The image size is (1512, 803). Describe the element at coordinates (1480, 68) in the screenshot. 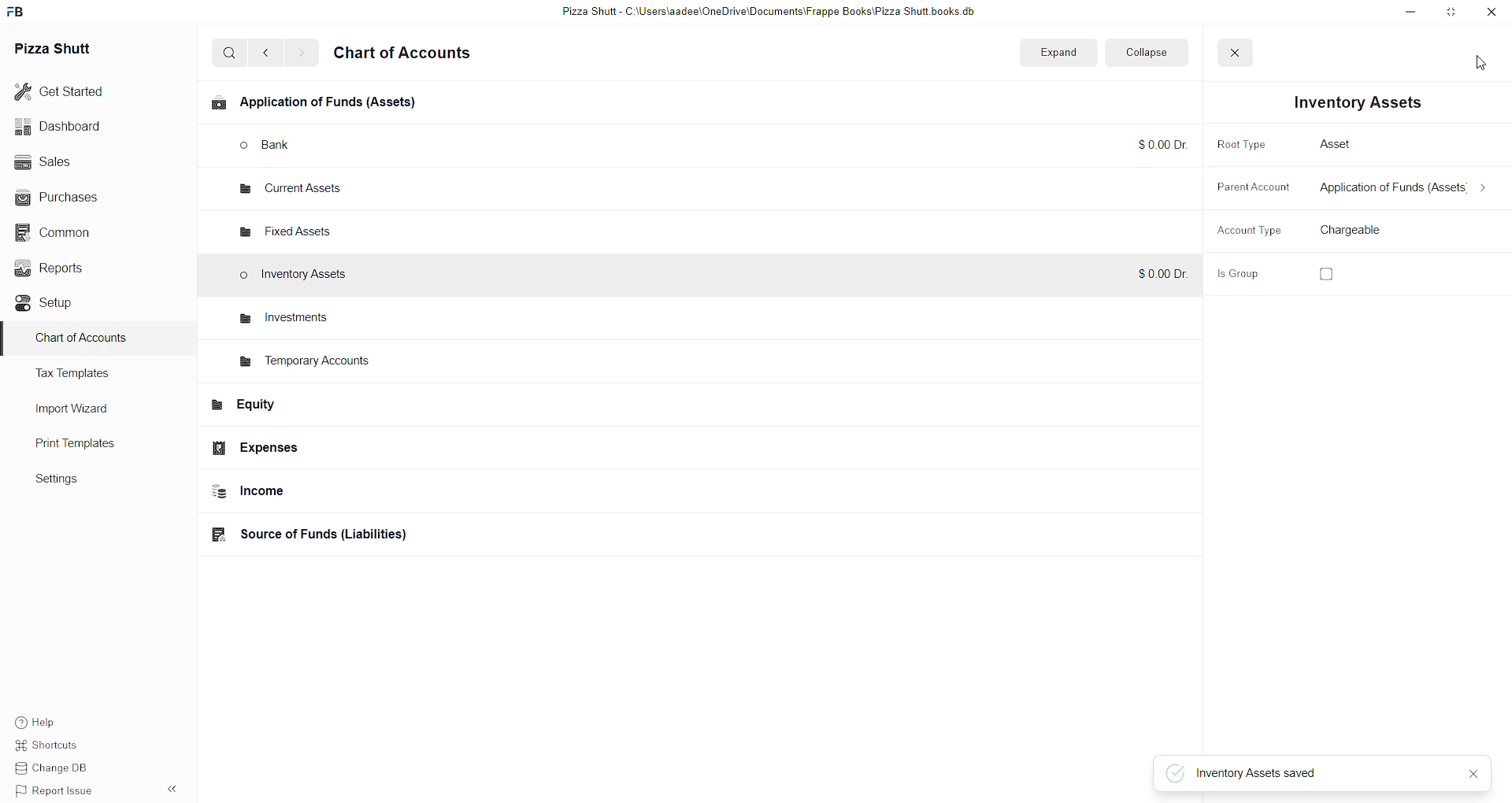

I see `cursor` at that location.